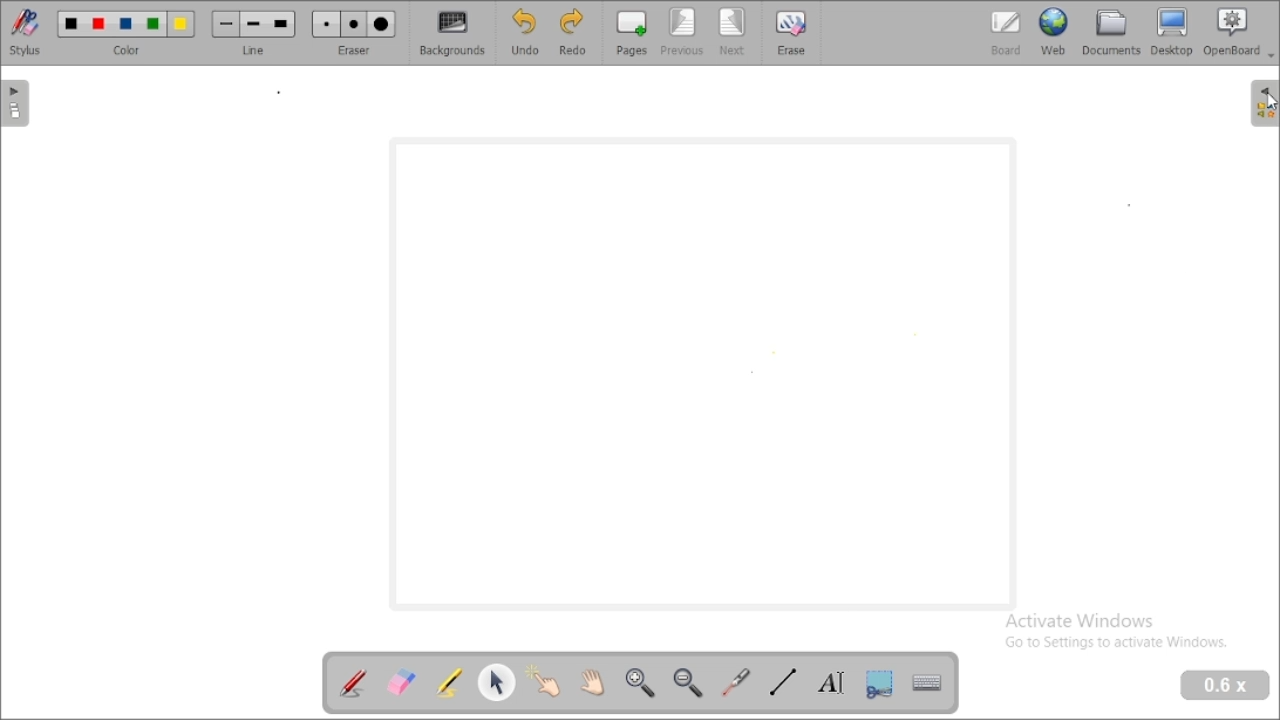 Image resolution: width=1280 pixels, height=720 pixels. I want to click on scroll page, so click(593, 680).